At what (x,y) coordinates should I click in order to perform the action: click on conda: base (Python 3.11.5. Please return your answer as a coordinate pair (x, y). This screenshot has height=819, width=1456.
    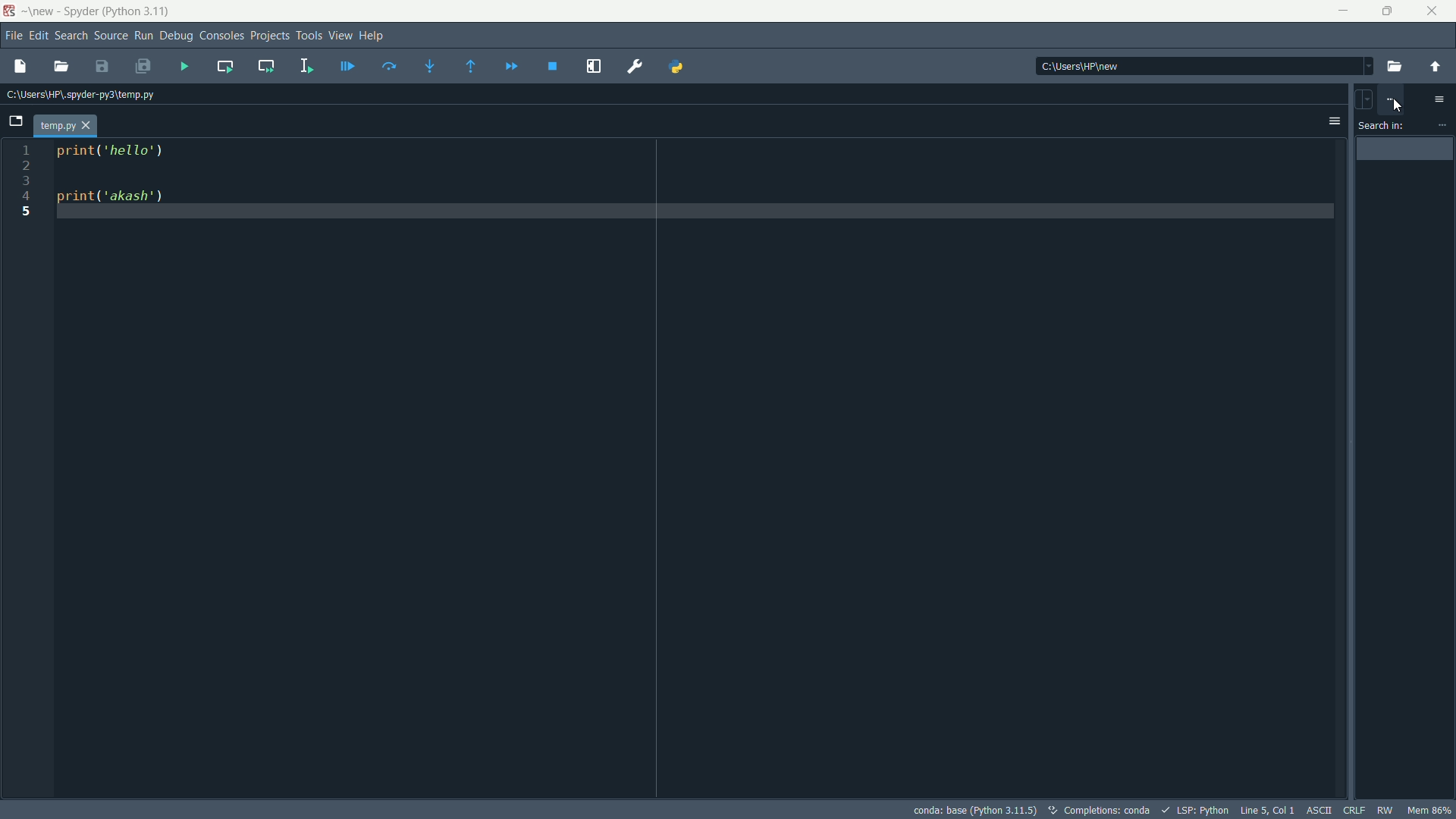
    Looking at the image, I should click on (975, 810).